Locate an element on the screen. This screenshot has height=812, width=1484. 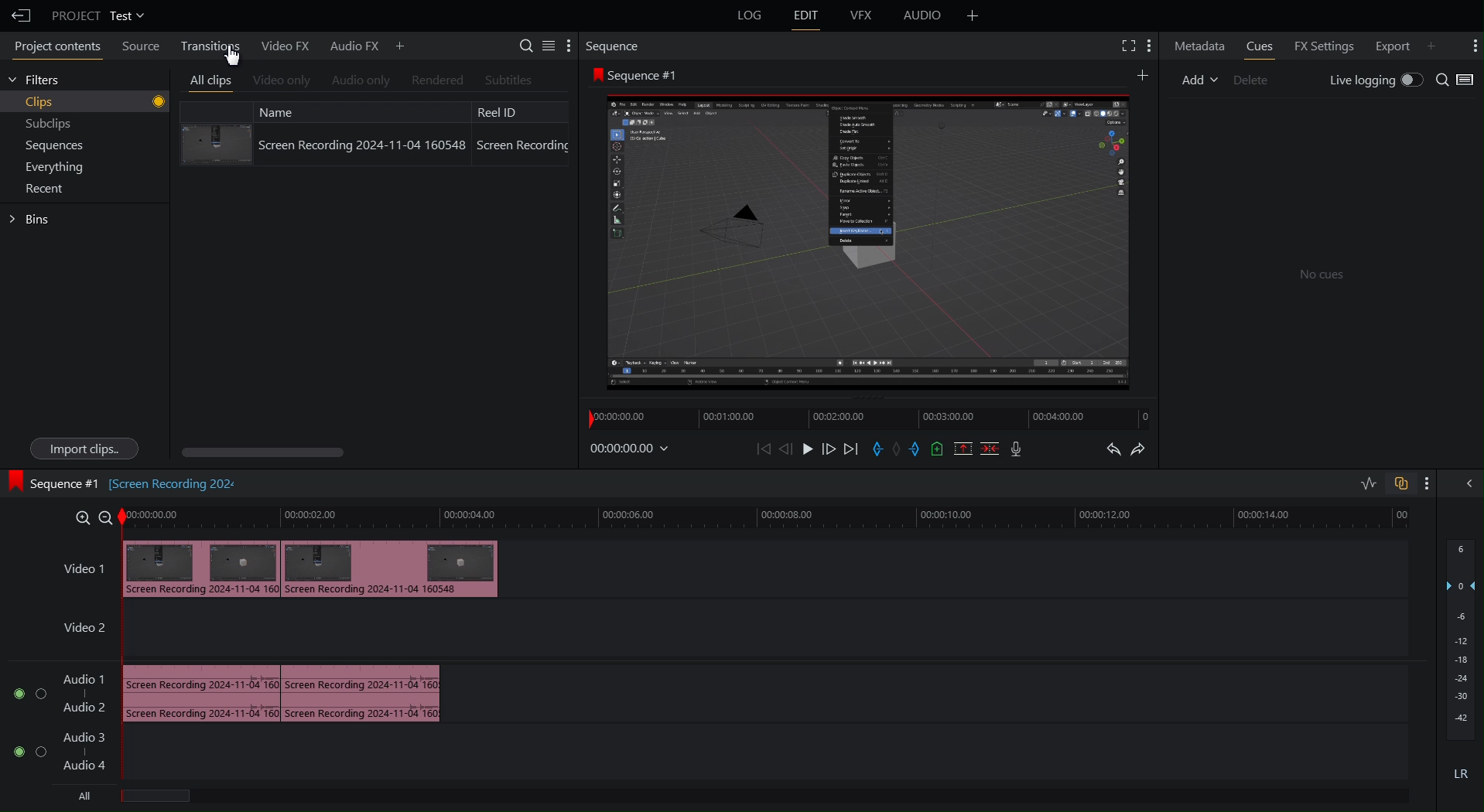
Add is located at coordinates (398, 44).